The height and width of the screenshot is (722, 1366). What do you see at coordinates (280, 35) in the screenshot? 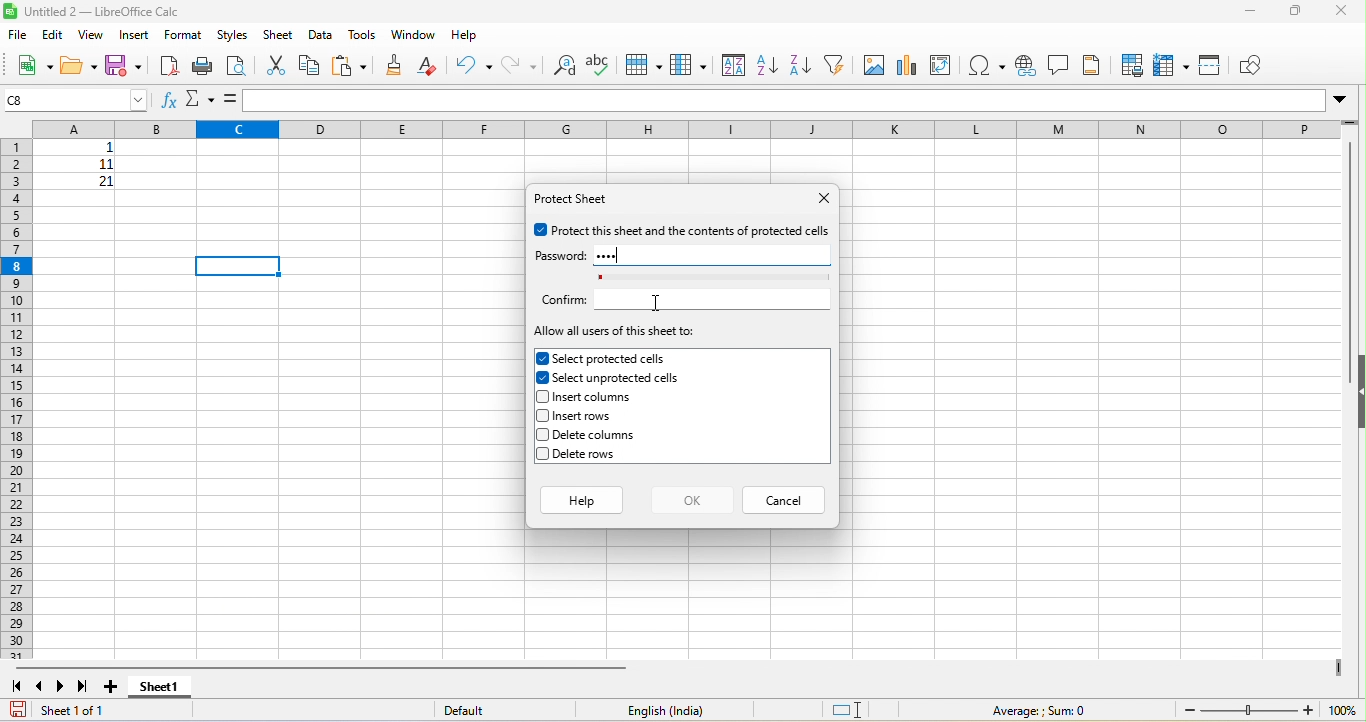
I see `sheet` at bounding box center [280, 35].